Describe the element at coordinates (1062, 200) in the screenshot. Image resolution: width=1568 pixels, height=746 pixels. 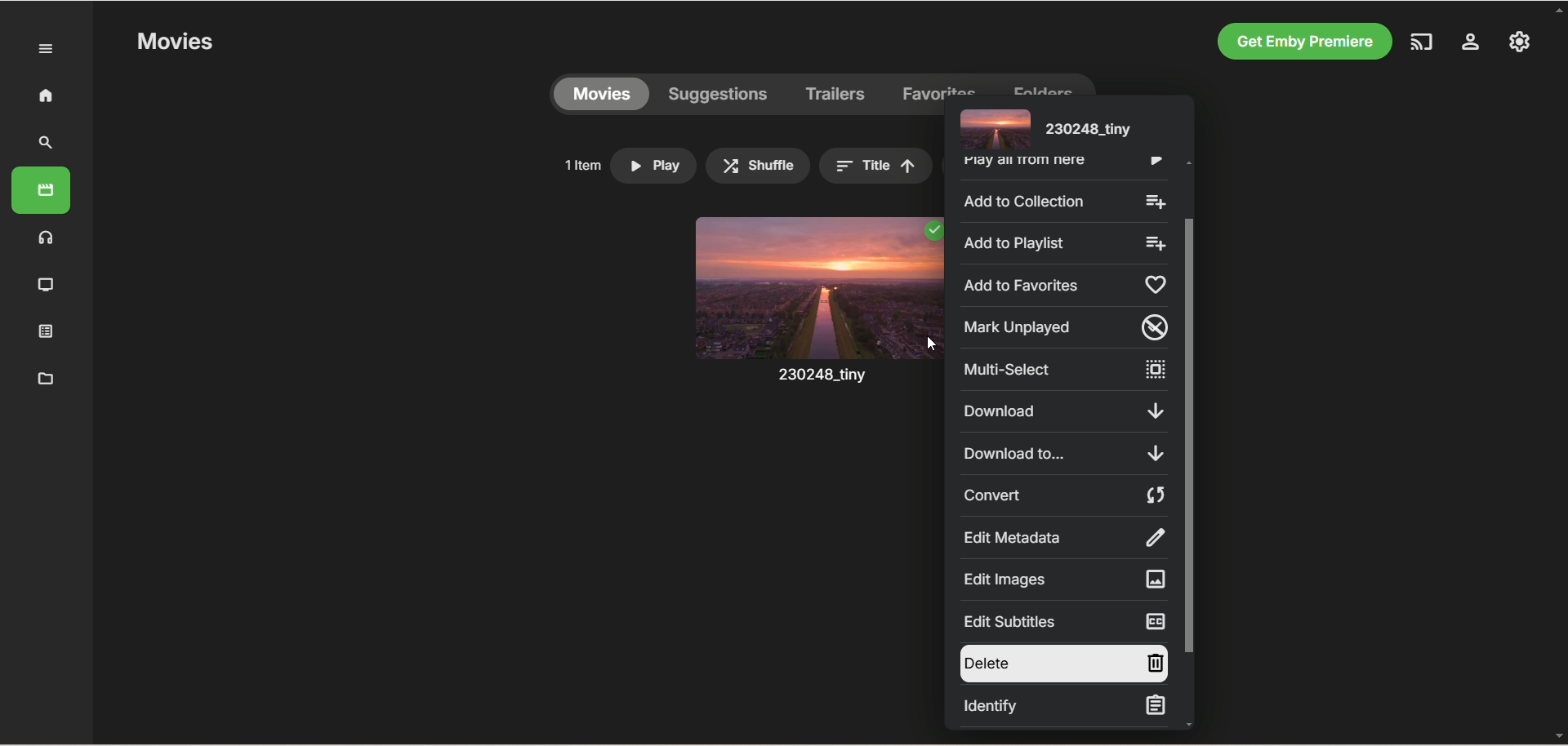
I see `add to collection` at that location.